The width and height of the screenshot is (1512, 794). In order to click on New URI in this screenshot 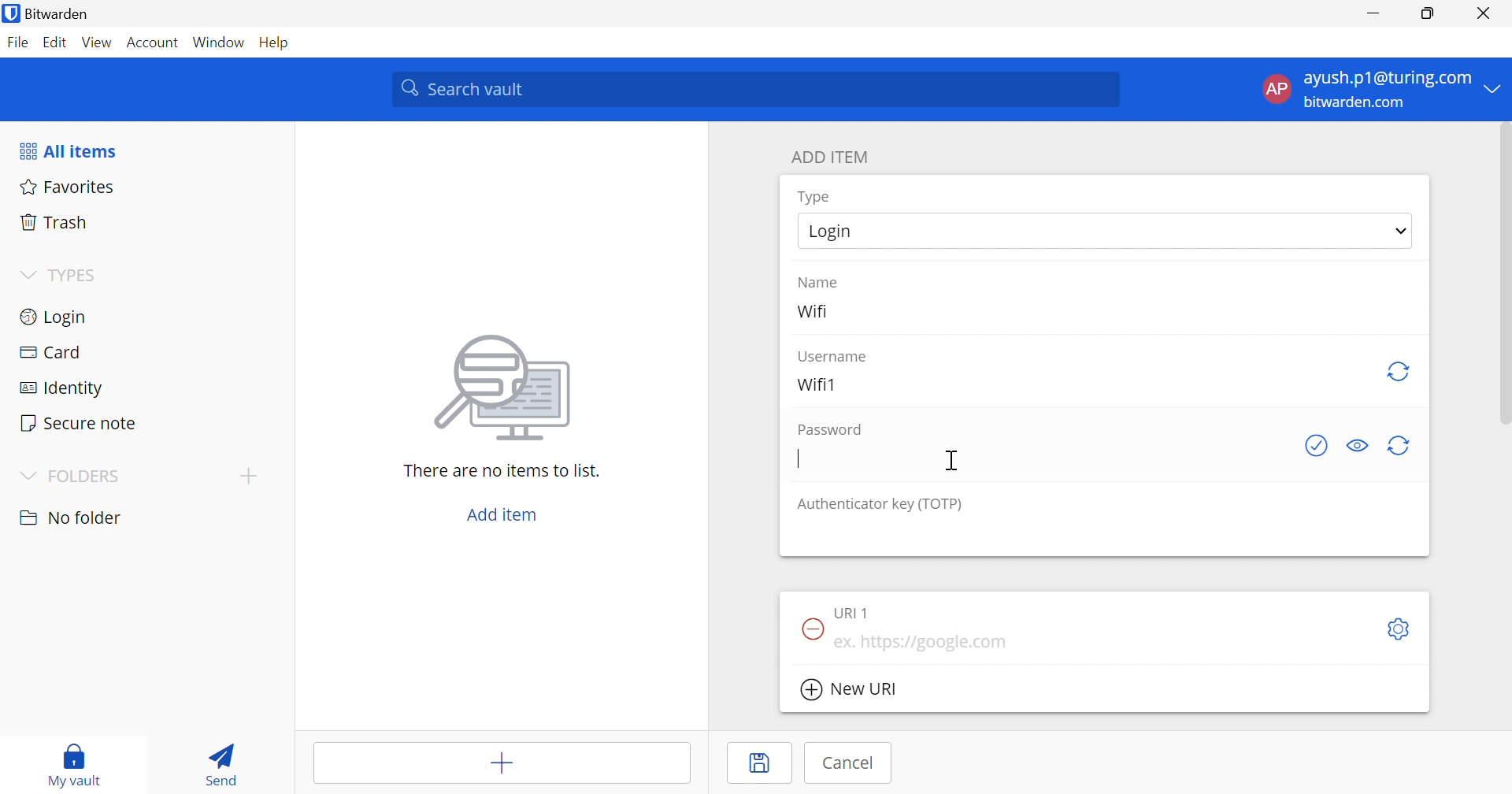, I will do `click(851, 692)`.